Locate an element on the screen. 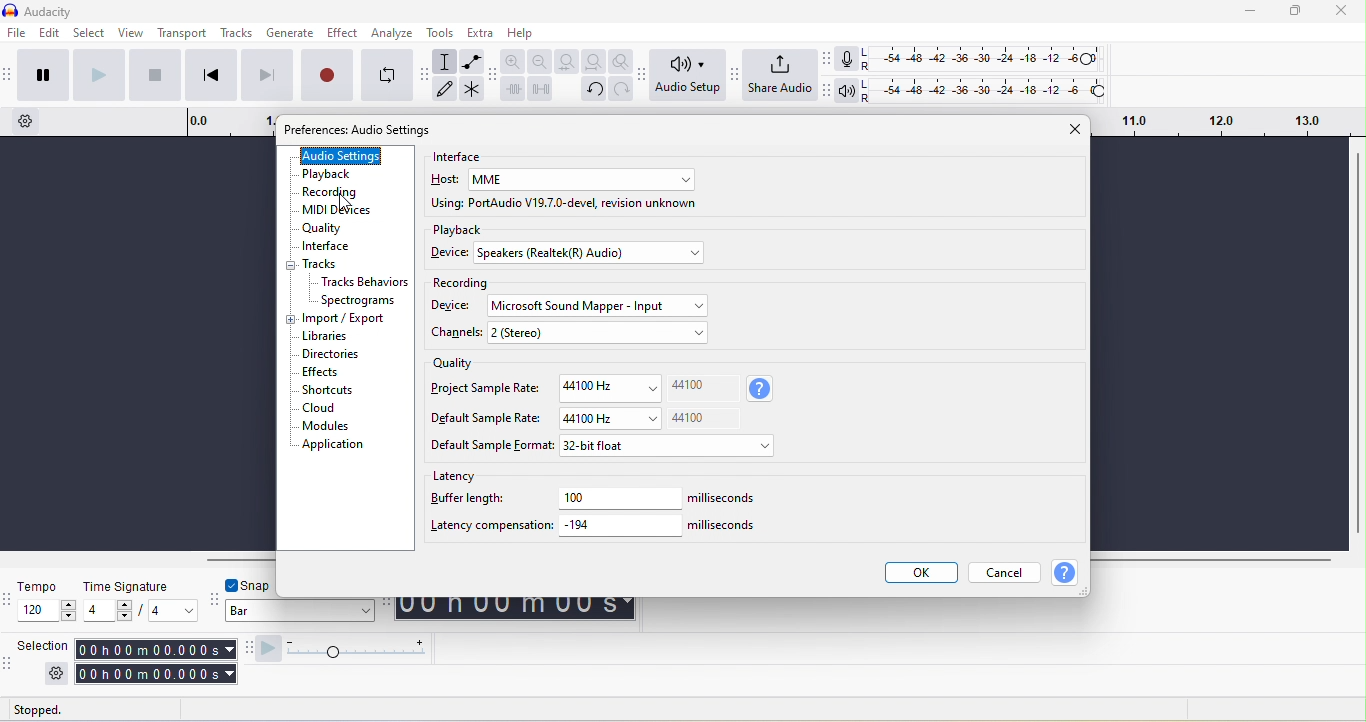  minimize is located at coordinates (1252, 13).